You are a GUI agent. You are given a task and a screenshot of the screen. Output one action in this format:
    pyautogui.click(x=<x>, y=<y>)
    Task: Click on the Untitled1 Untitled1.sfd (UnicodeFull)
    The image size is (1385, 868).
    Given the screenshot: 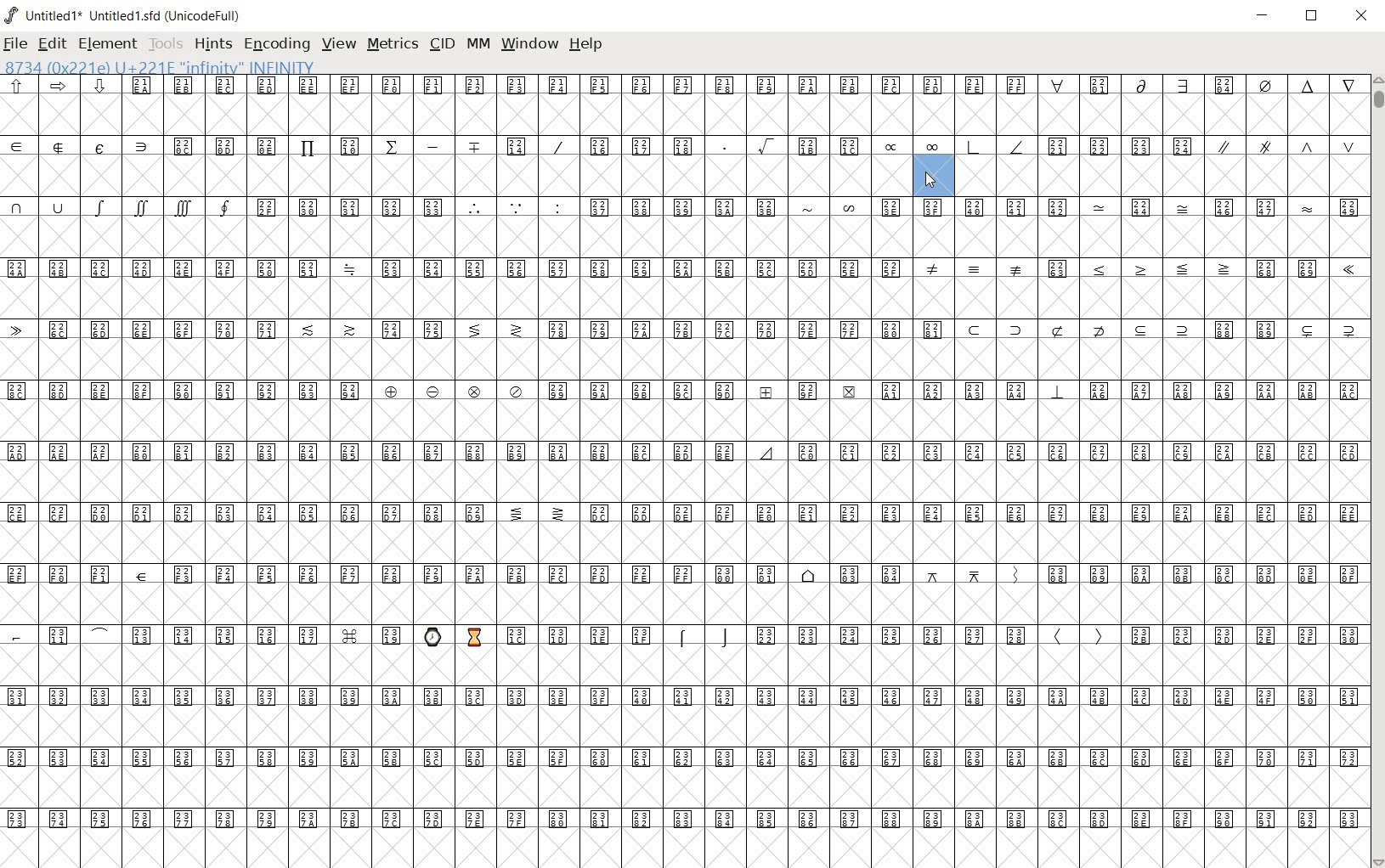 What is the action you would take?
    pyautogui.click(x=128, y=20)
    